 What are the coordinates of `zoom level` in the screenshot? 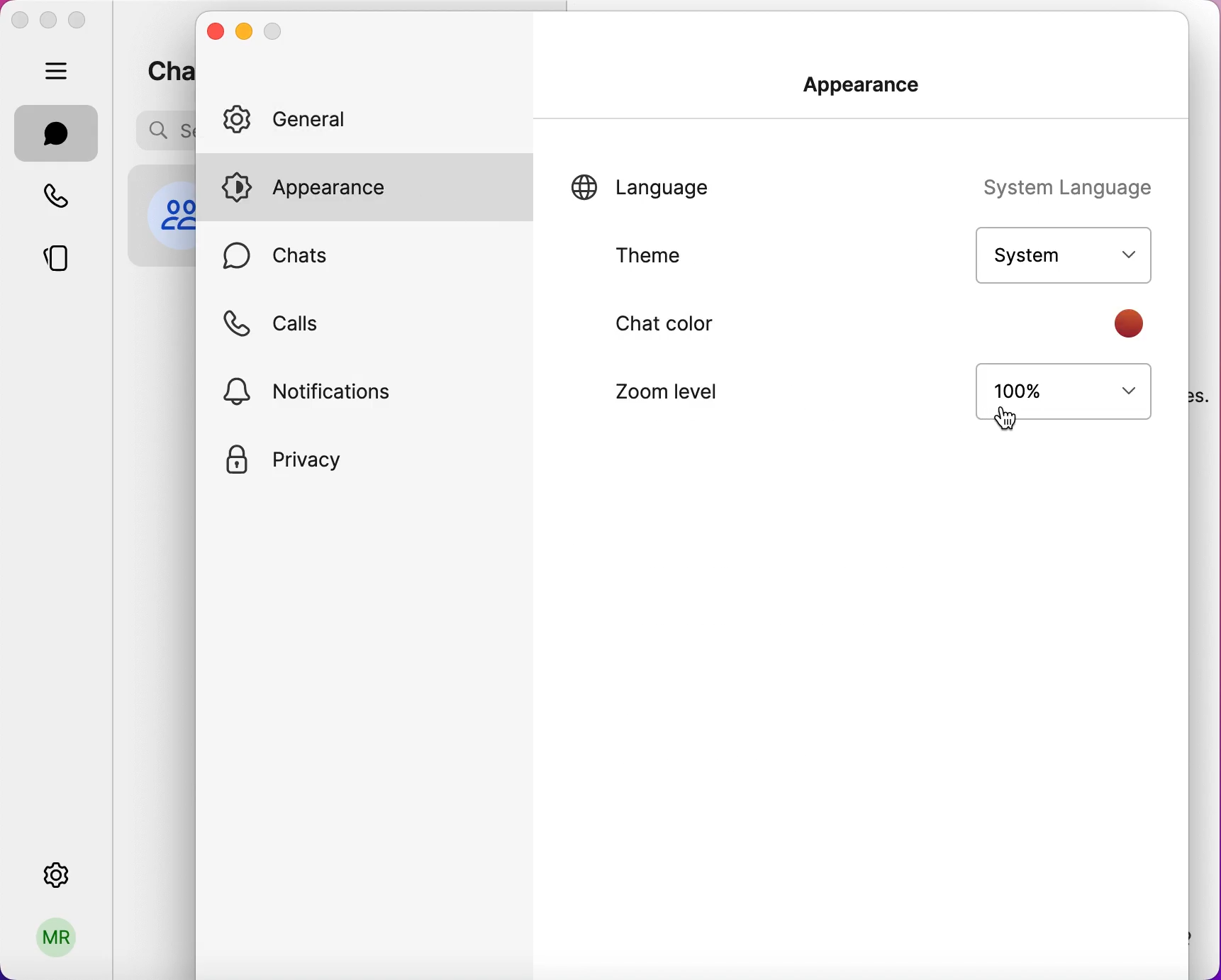 It's located at (724, 392).